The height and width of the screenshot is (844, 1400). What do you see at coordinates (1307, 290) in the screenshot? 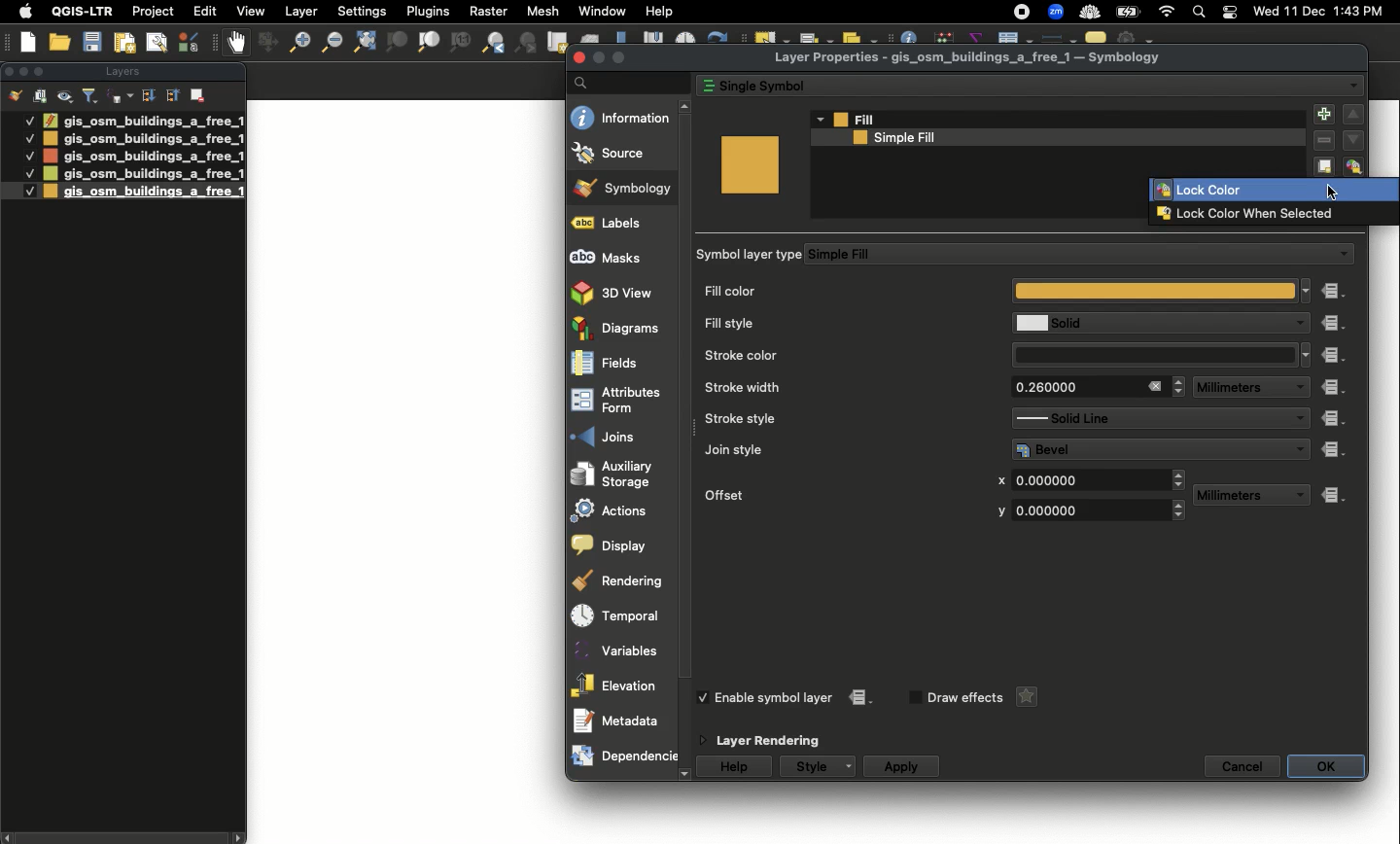
I see `Drop down` at bounding box center [1307, 290].